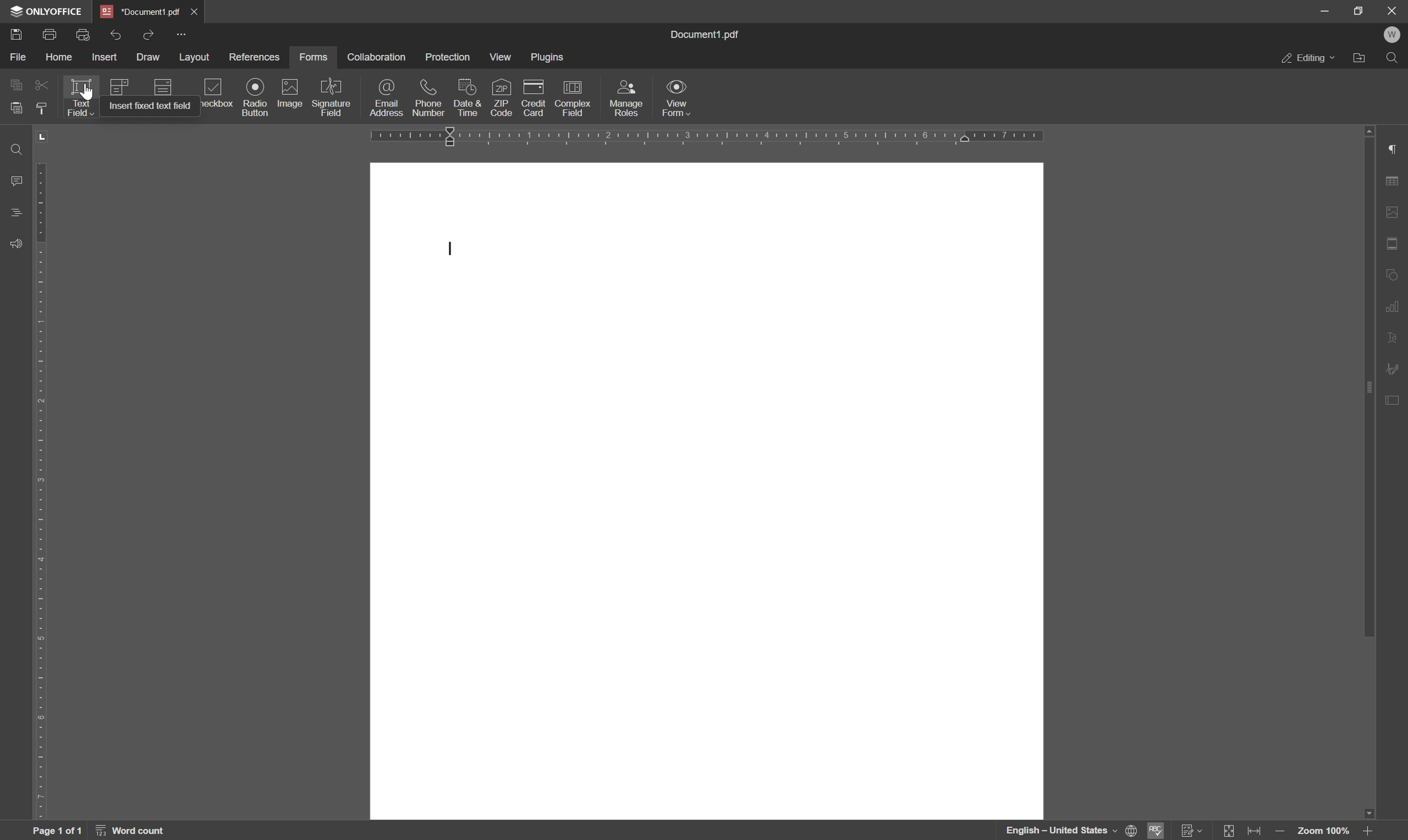 This screenshot has height=840, width=1408. Describe the element at coordinates (1393, 35) in the screenshot. I see `welcome` at that location.